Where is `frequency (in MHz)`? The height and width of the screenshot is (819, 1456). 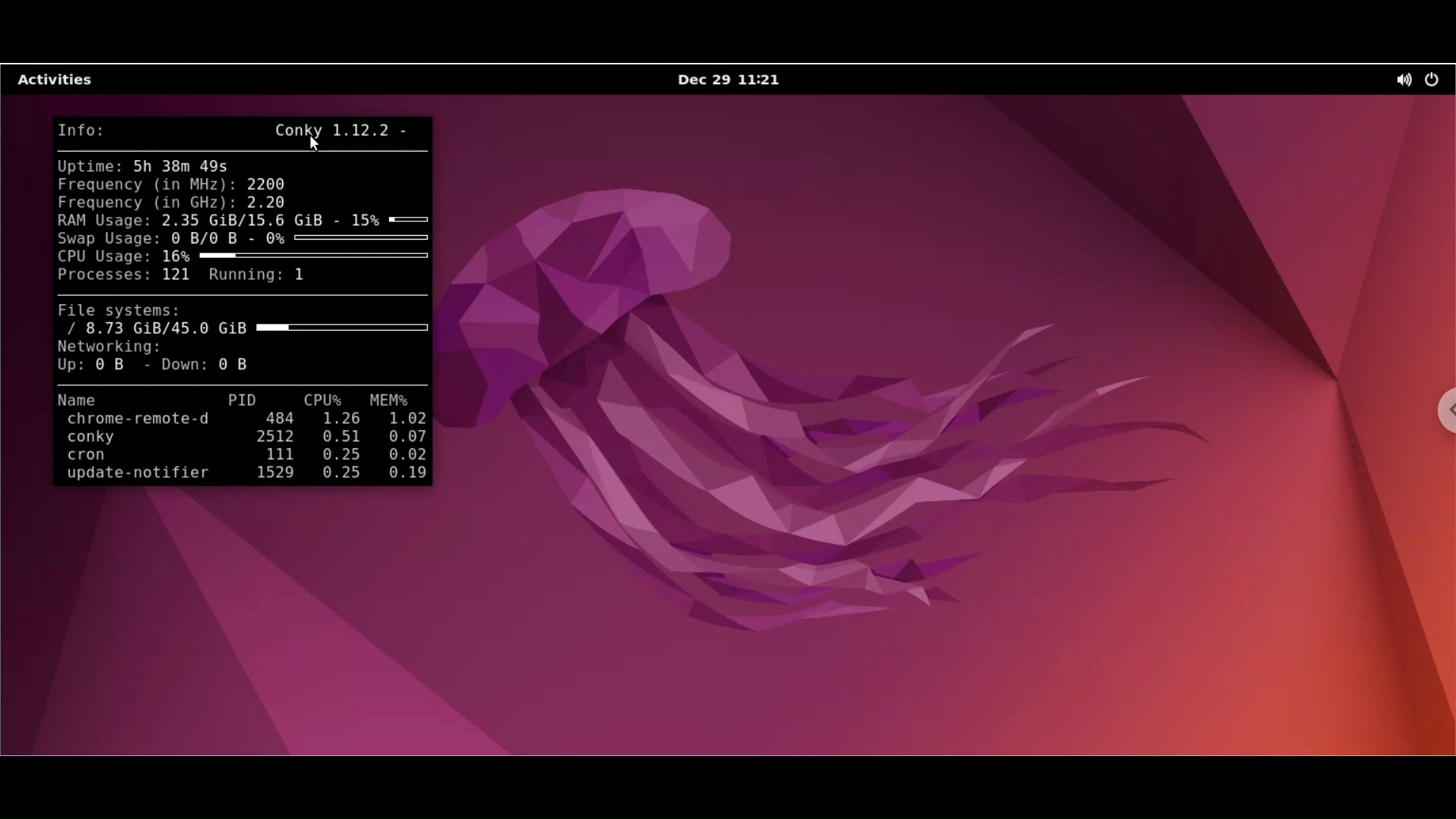
frequency (in MHz) is located at coordinates (146, 184).